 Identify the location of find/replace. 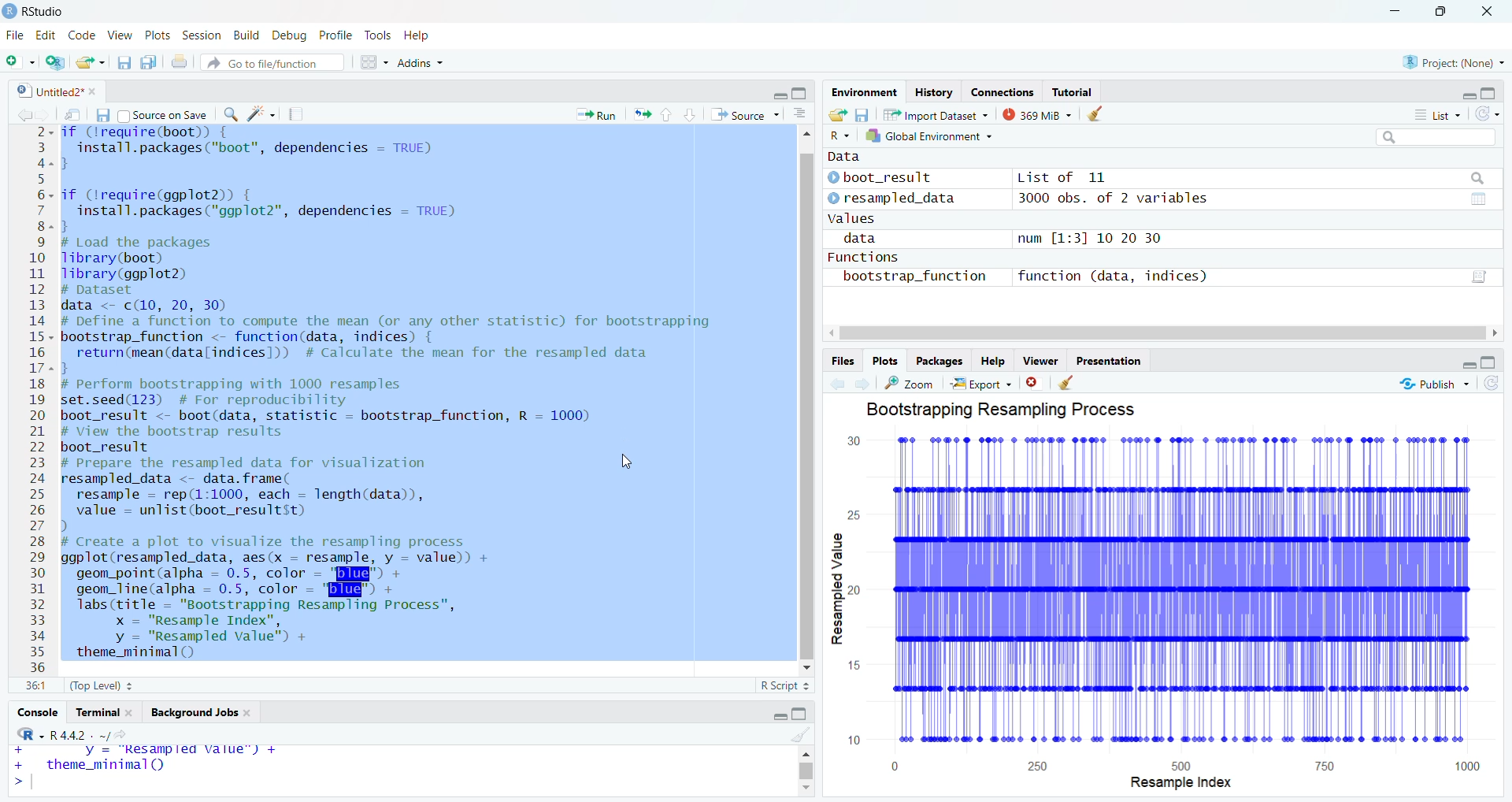
(231, 113).